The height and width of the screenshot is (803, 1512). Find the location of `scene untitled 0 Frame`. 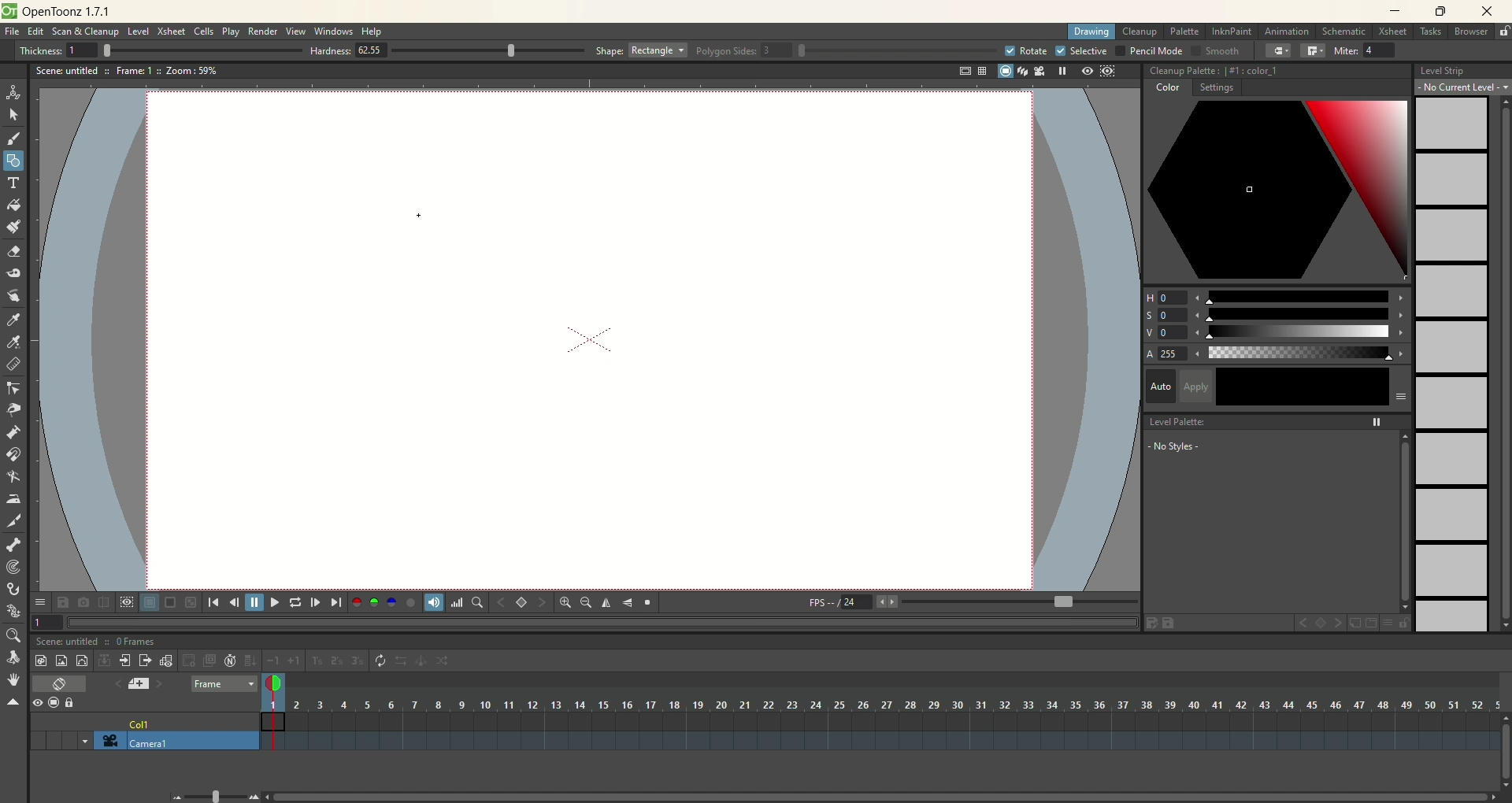

scene untitled 0 Frame is located at coordinates (97, 642).